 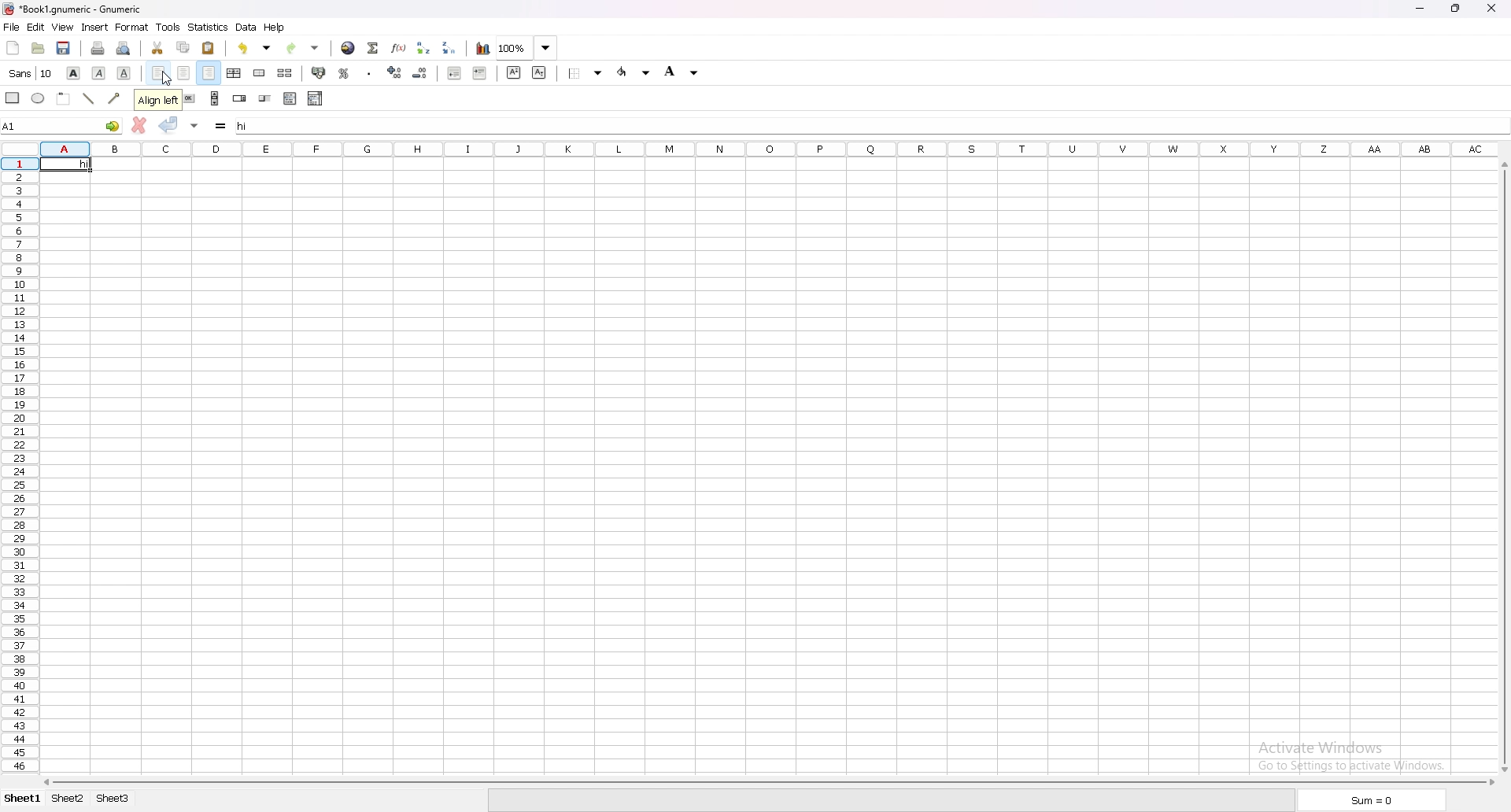 What do you see at coordinates (62, 28) in the screenshot?
I see `view` at bounding box center [62, 28].